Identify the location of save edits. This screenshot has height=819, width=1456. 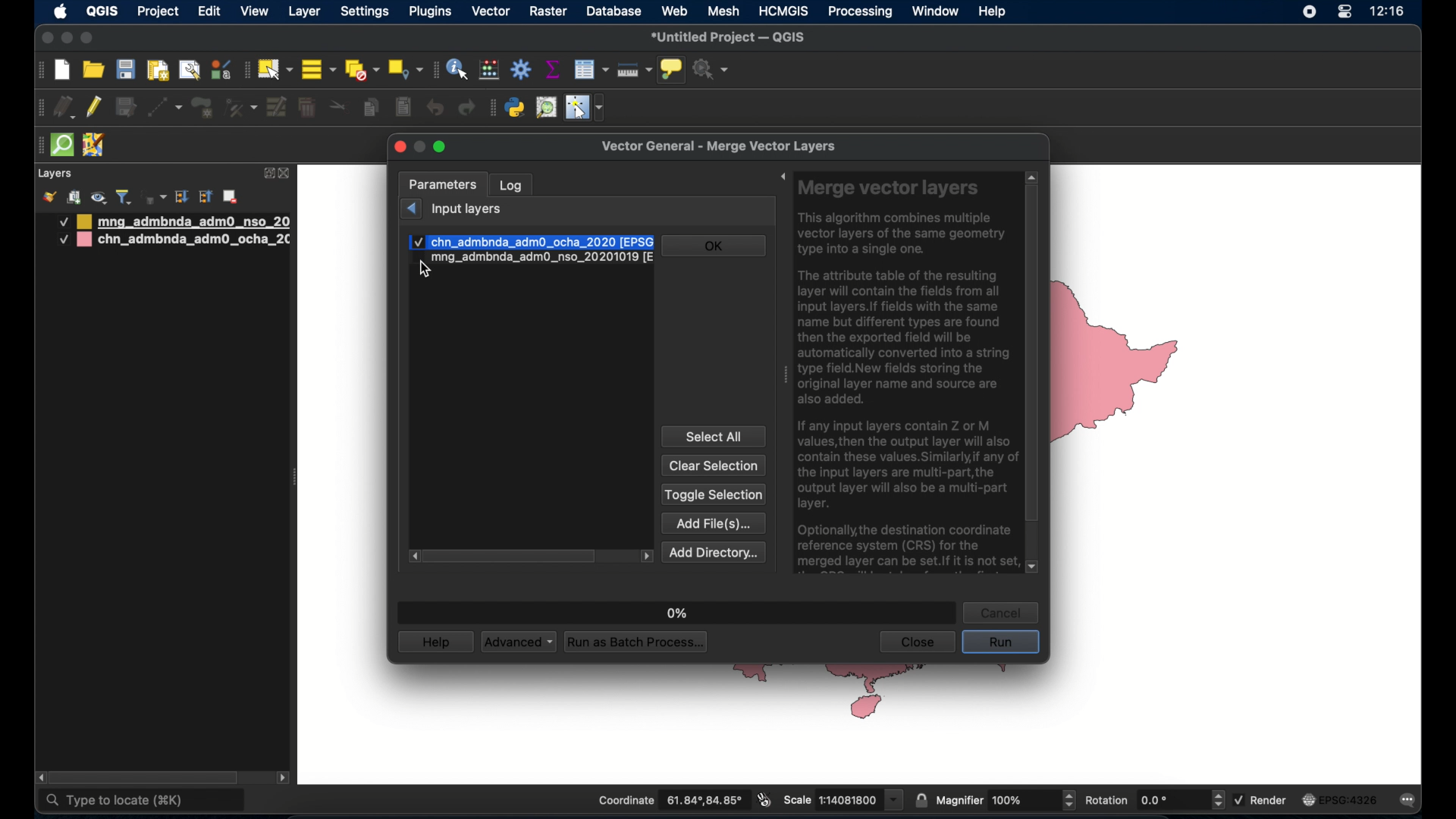
(125, 108).